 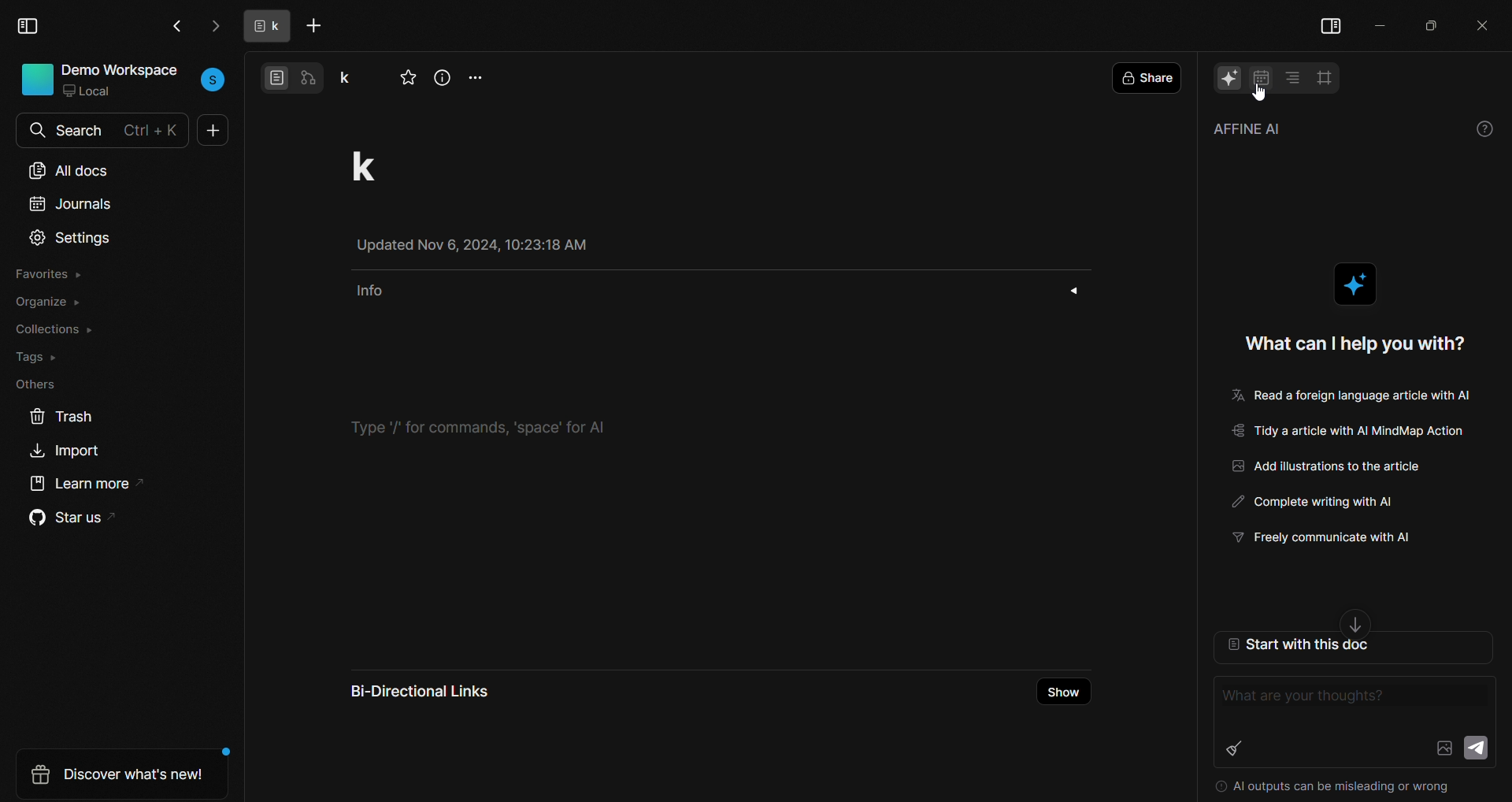 What do you see at coordinates (1340, 788) in the screenshot?
I see `Al outputs can be misleading or wrong` at bounding box center [1340, 788].